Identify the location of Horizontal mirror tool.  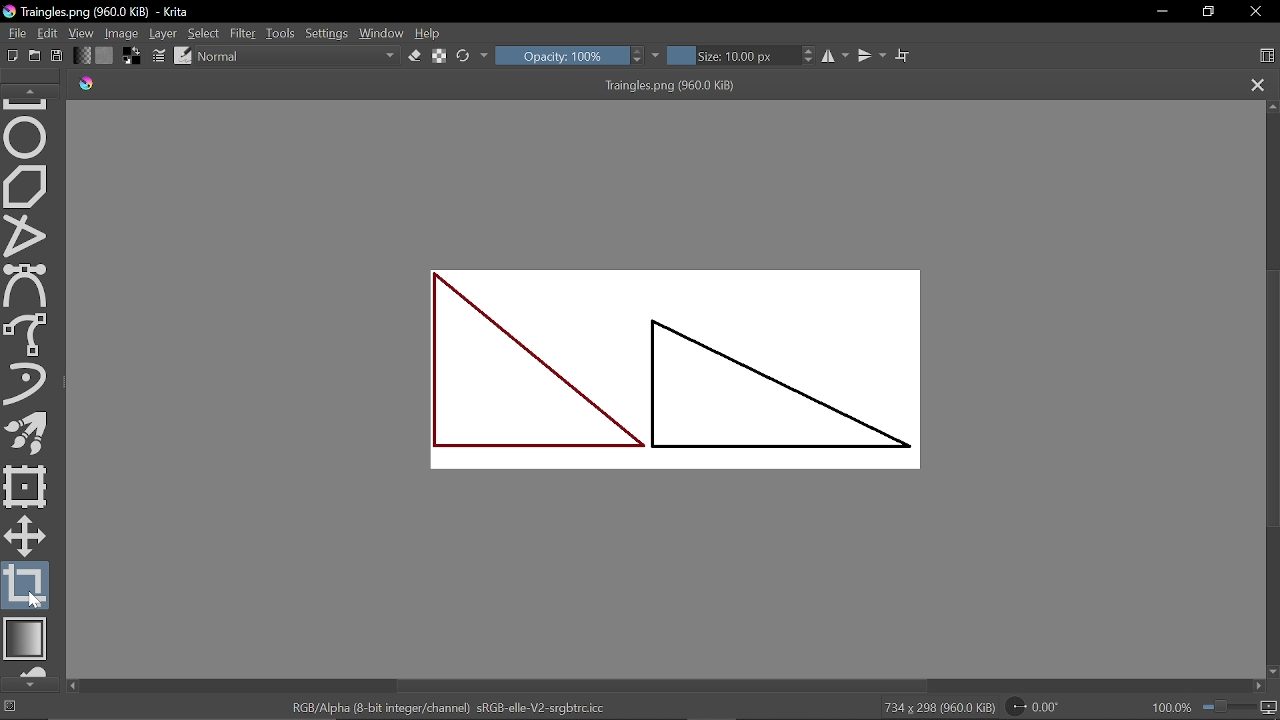
(837, 56).